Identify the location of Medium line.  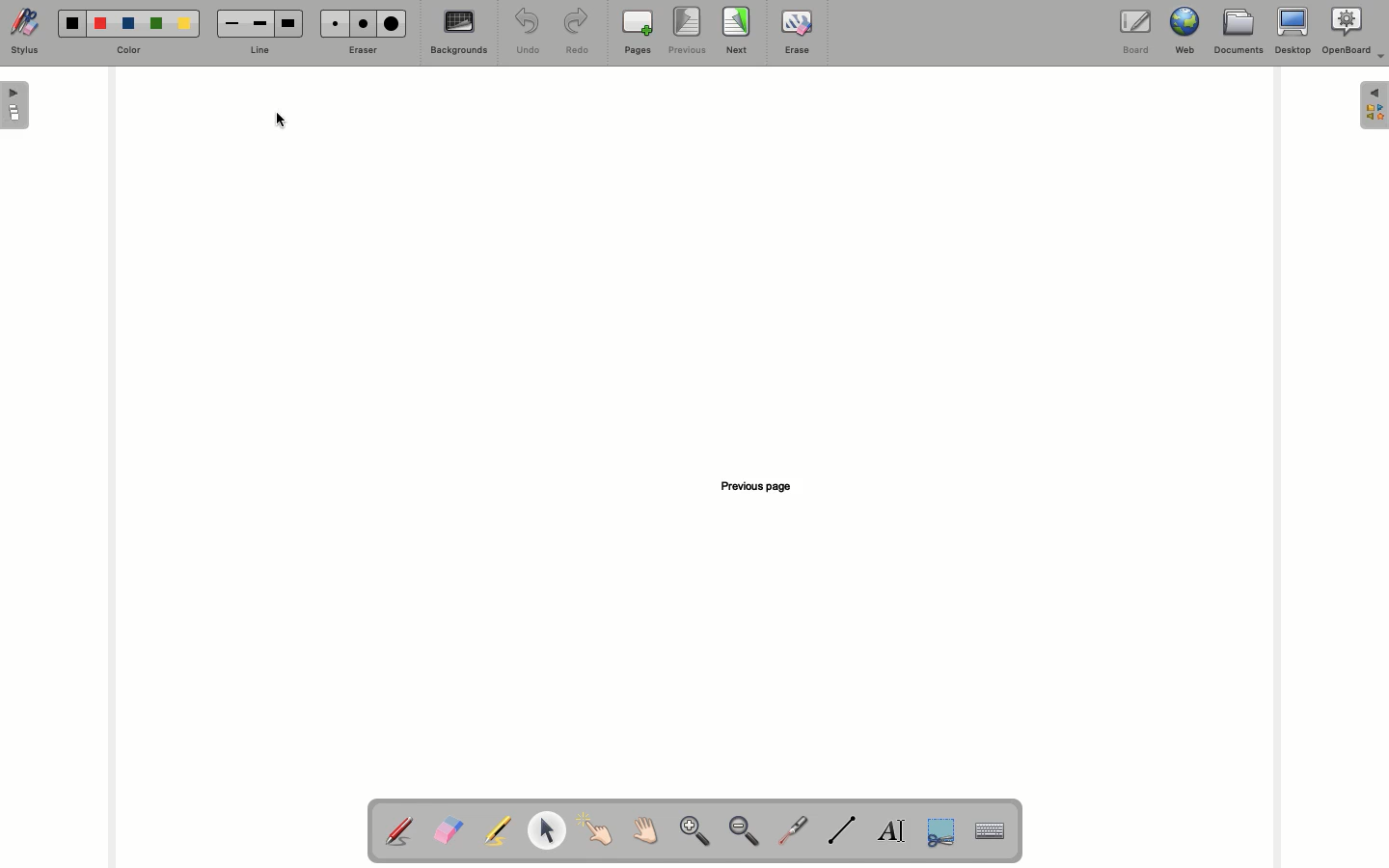
(259, 23).